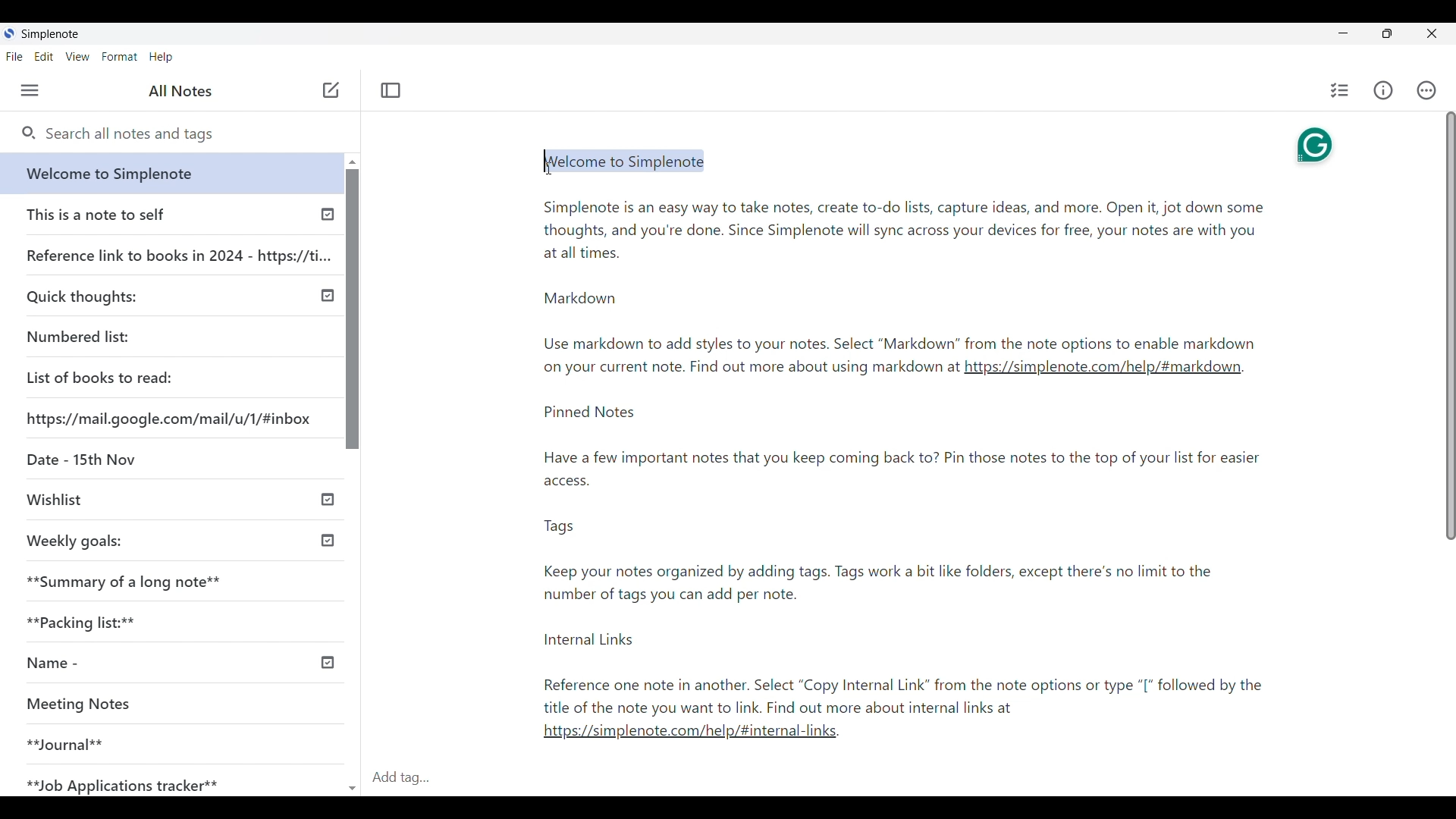 The height and width of the screenshot is (819, 1456). Describe the element at coordinates (326, 296) in the screenshot. I see `Check icon indicates published notes` at that location.